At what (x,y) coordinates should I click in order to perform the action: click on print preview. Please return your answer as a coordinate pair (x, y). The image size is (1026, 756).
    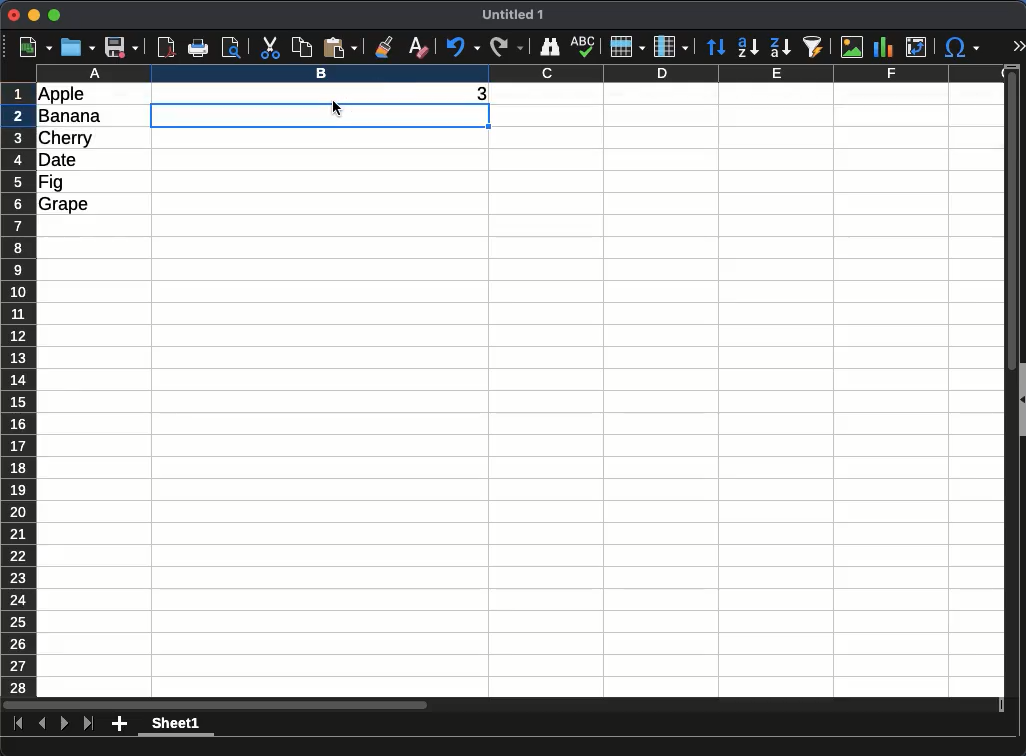
    Looking at the image, I should click on (232, 48).